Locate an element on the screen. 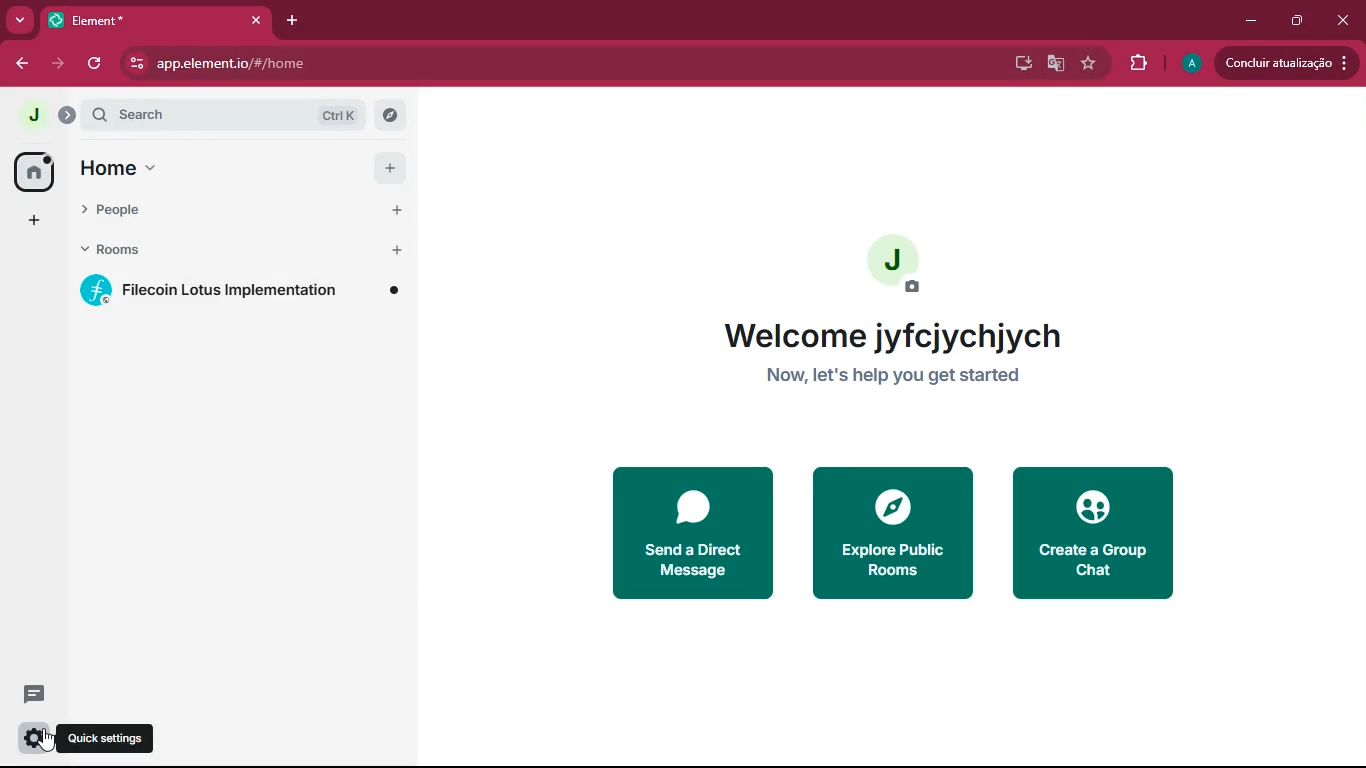  profile is located at coordinates (1188, 65).